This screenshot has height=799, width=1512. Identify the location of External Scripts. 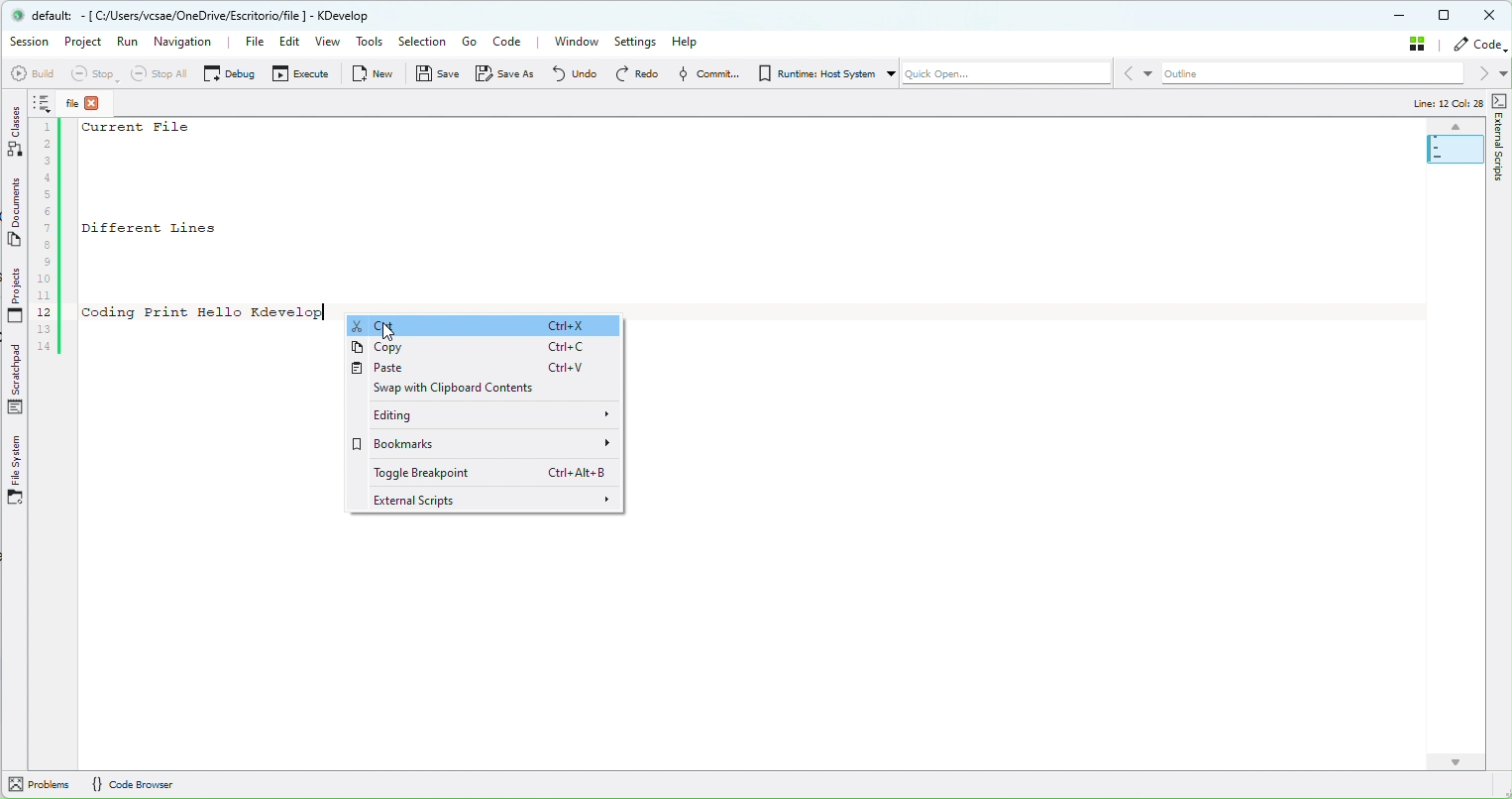
(1500, 135).